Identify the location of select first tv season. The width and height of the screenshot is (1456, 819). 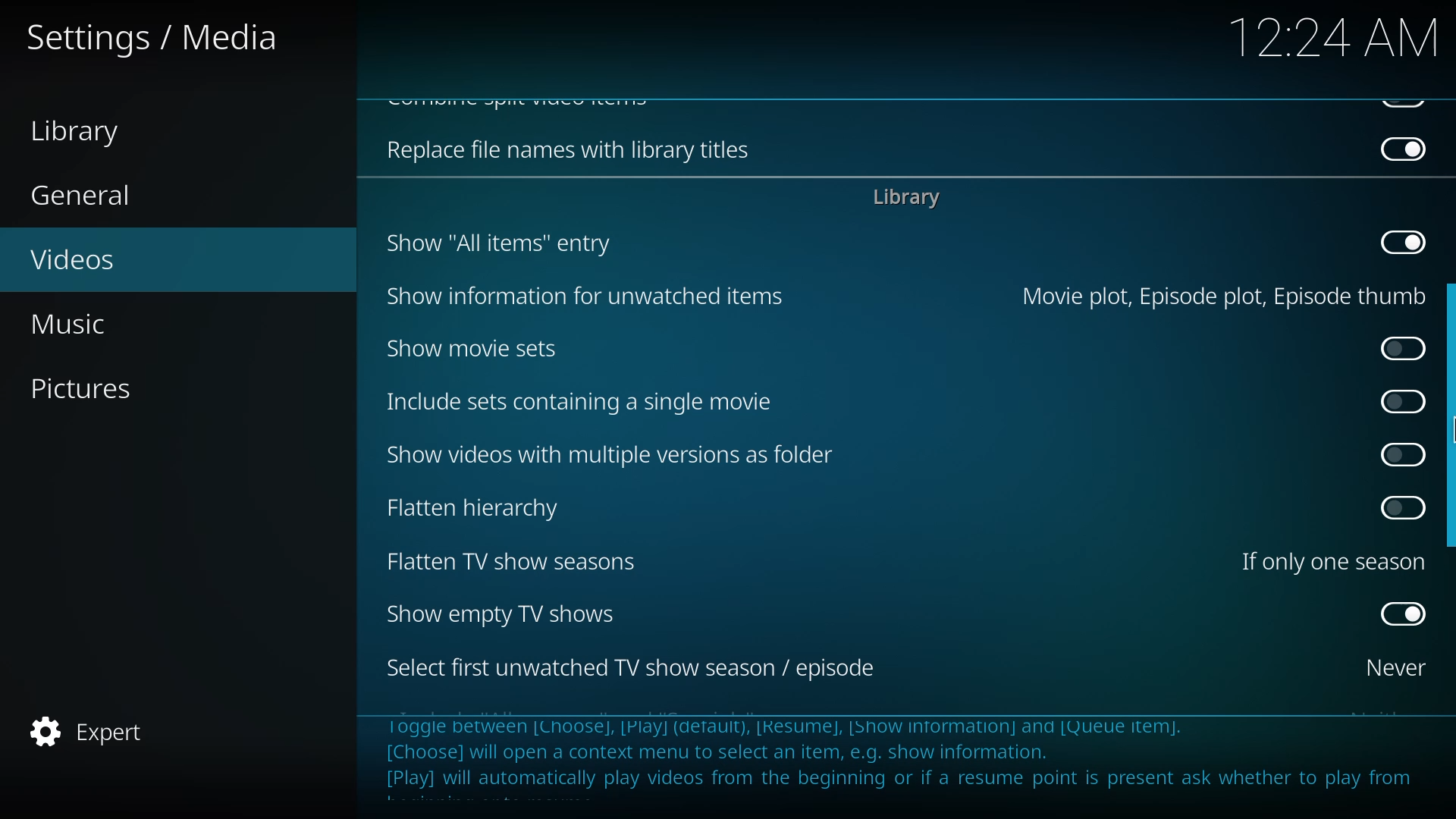
(635, 670).